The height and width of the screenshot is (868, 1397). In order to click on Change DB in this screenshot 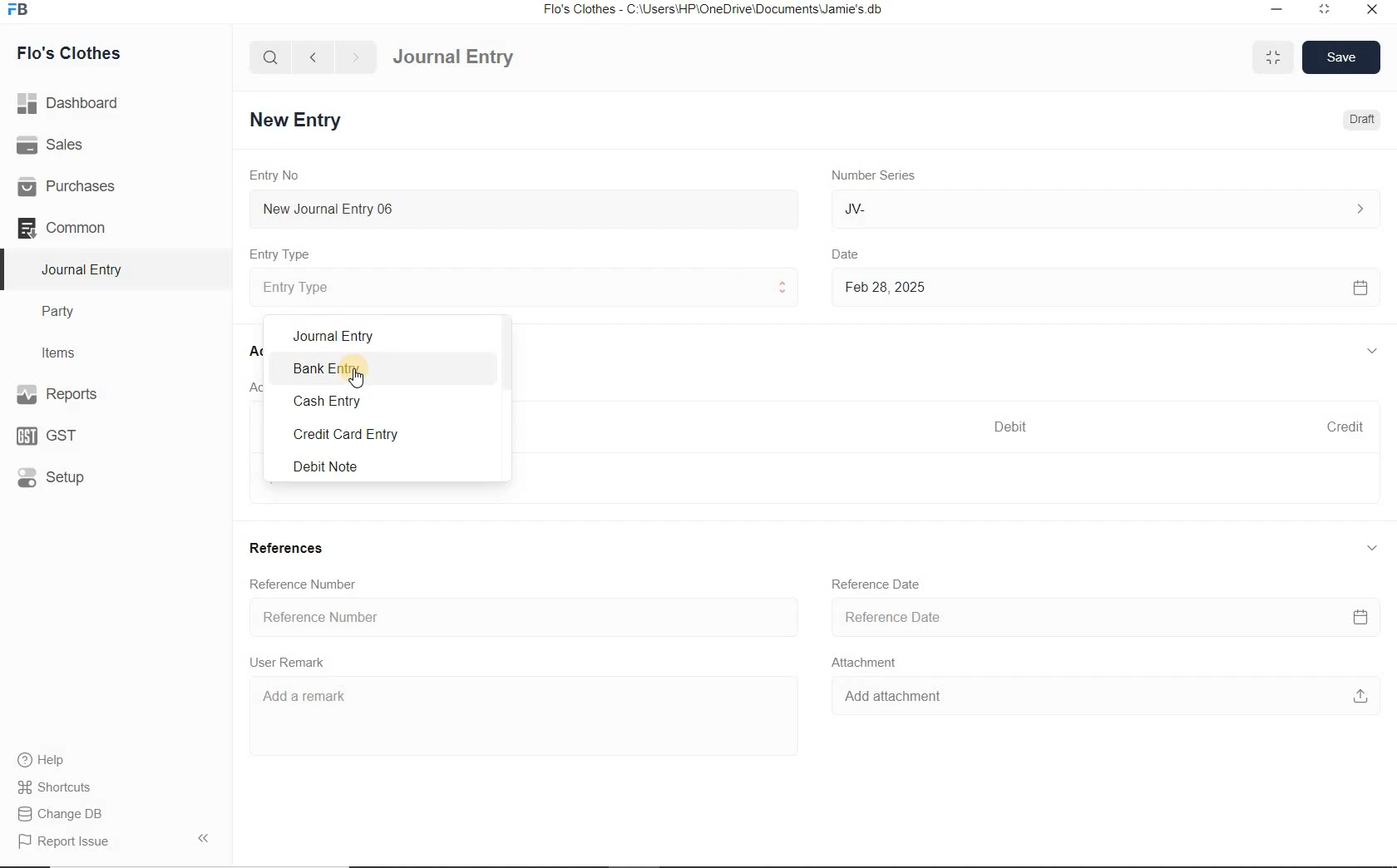, I will do `click(62, 812)`.